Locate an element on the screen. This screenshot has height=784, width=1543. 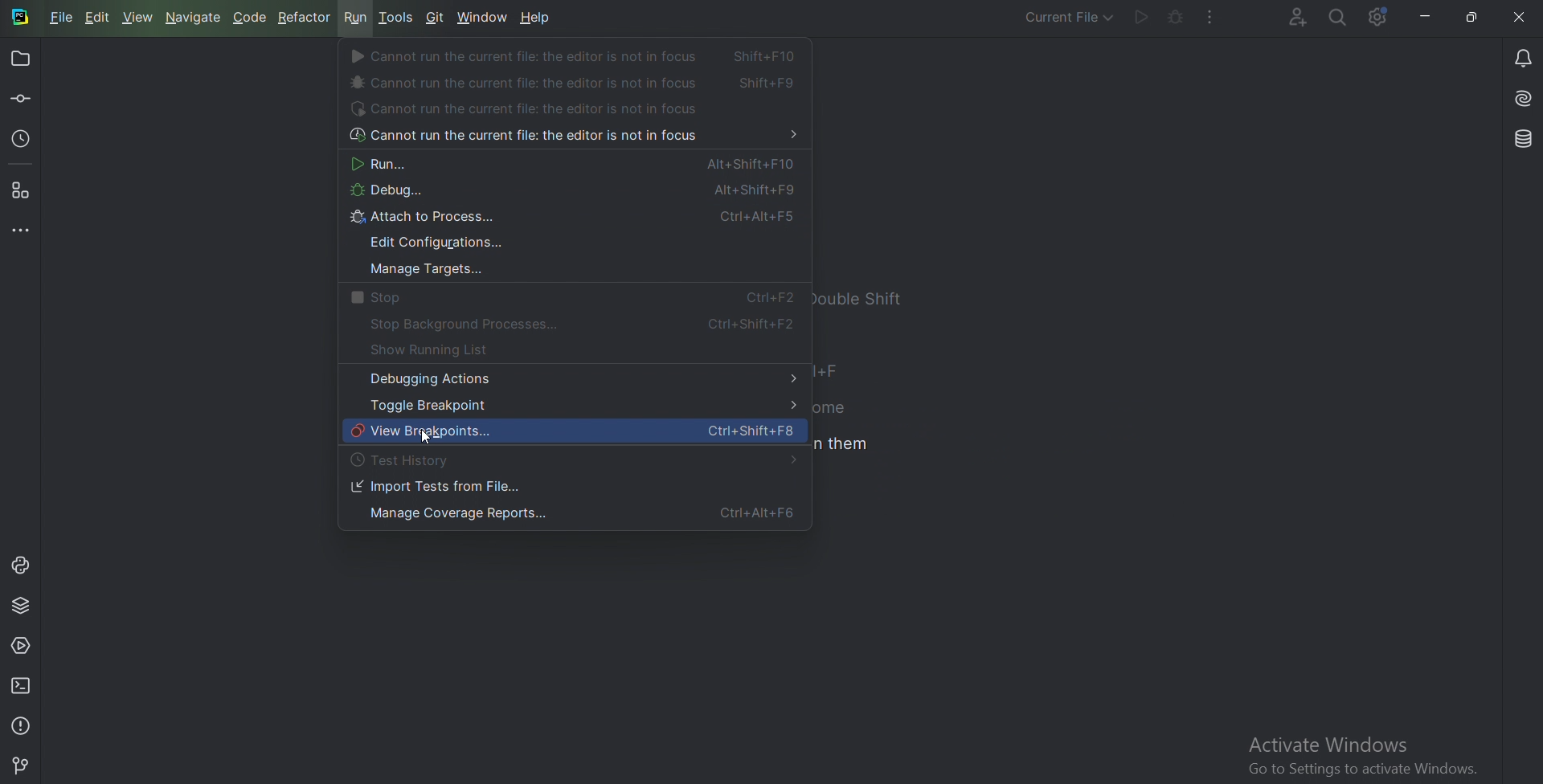
Cross is located at coordinates (1520, 16).